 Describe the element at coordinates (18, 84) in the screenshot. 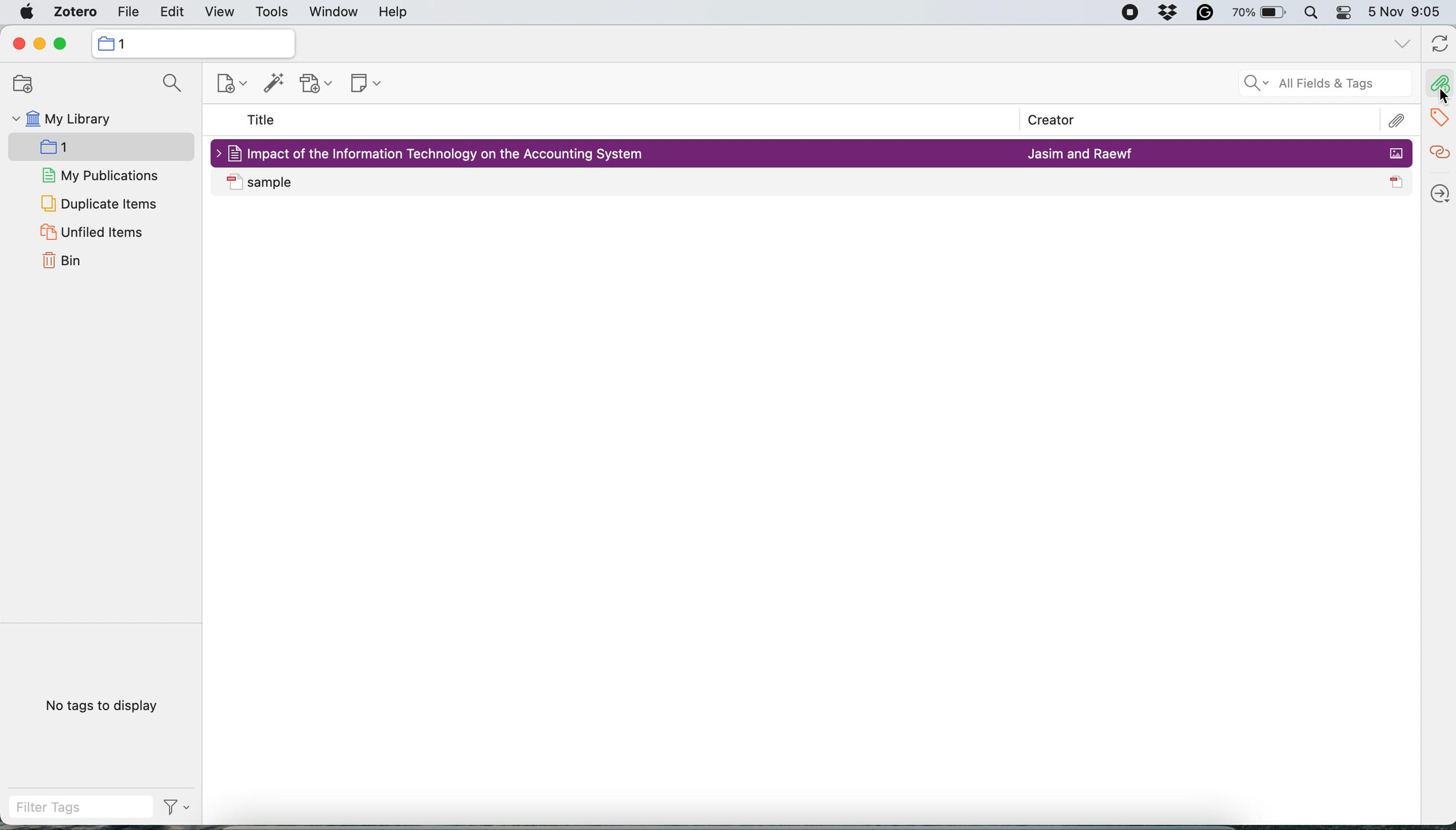

I see `new collection` at that location.